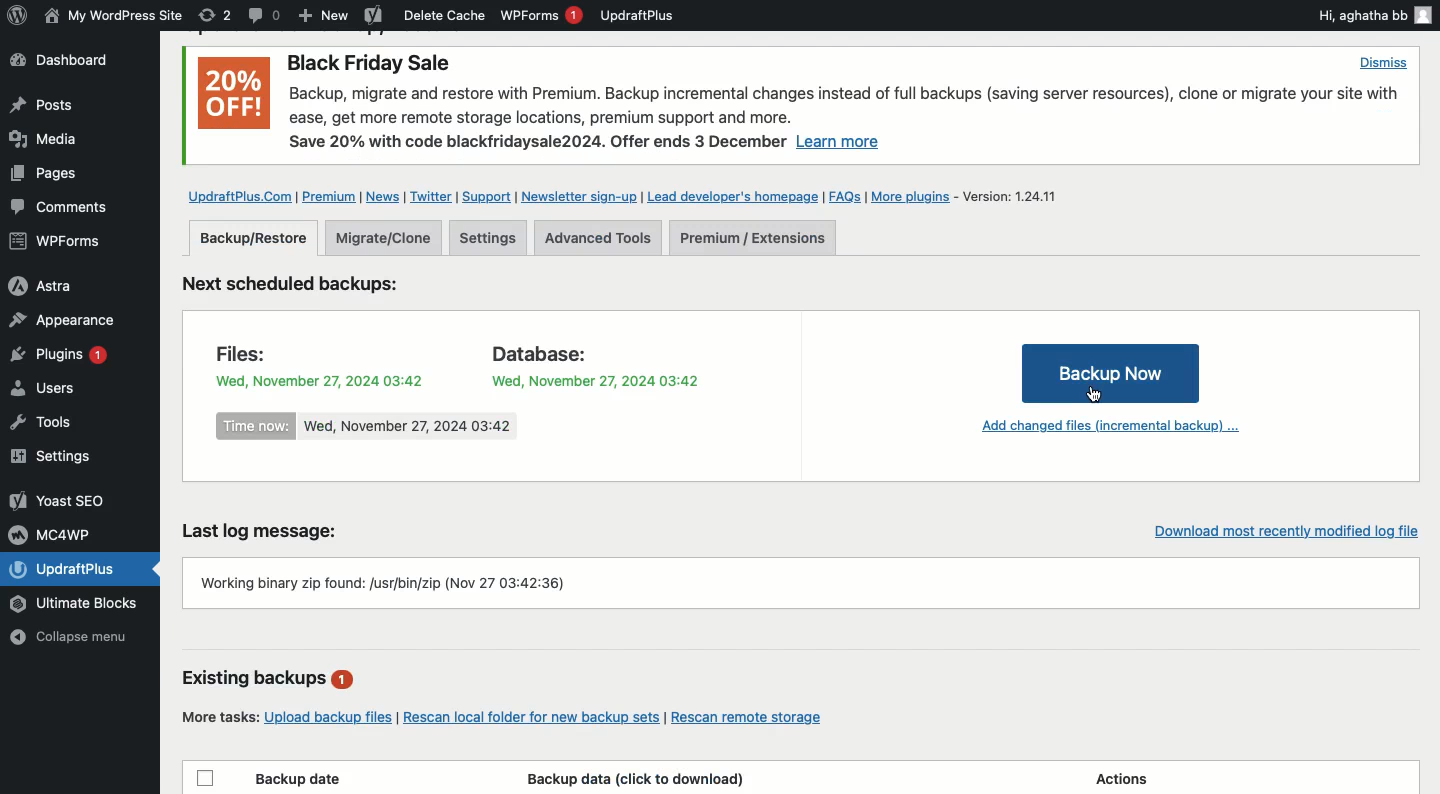 The height and width of the screenshot is (794, 1440). What do you see at coordinates (253, 351) in the screenshot?
I see `Files:` at bounding box center [253, 351].